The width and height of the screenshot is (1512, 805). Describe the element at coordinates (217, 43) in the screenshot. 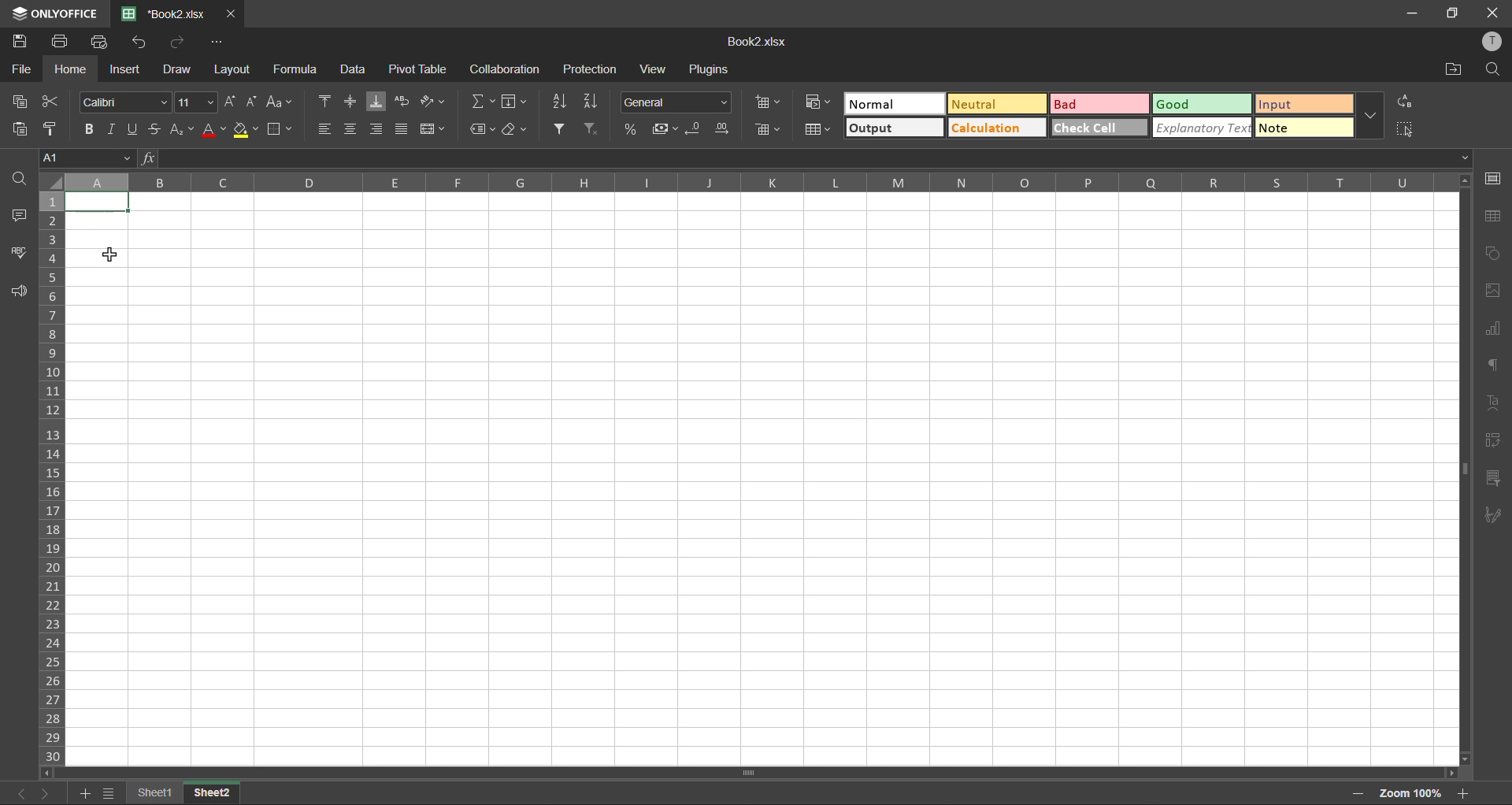

I see `customize quick access toolbar` at that location.